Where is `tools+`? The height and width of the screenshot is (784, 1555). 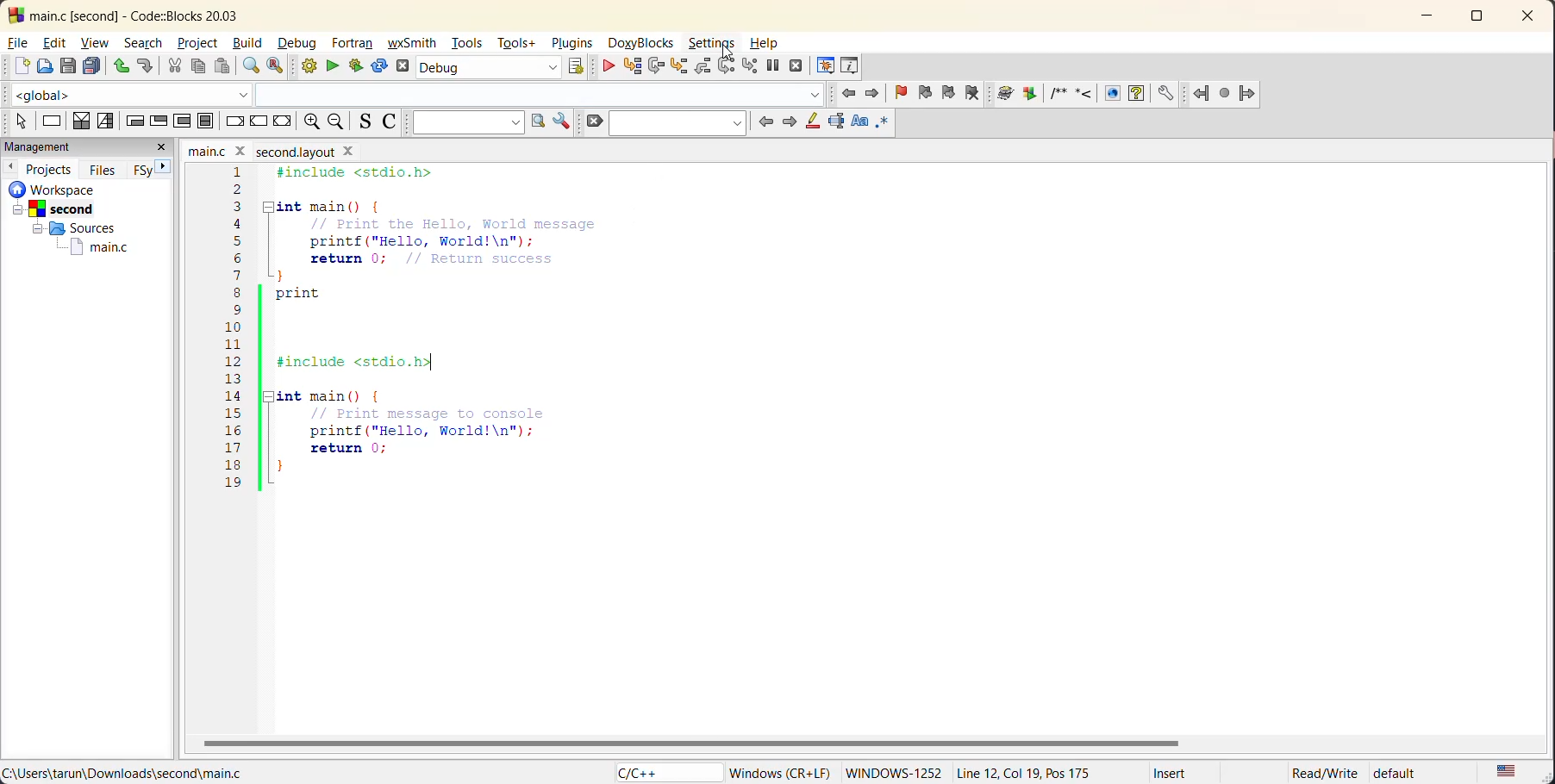
tools+ is located at coordinates (518, 43).